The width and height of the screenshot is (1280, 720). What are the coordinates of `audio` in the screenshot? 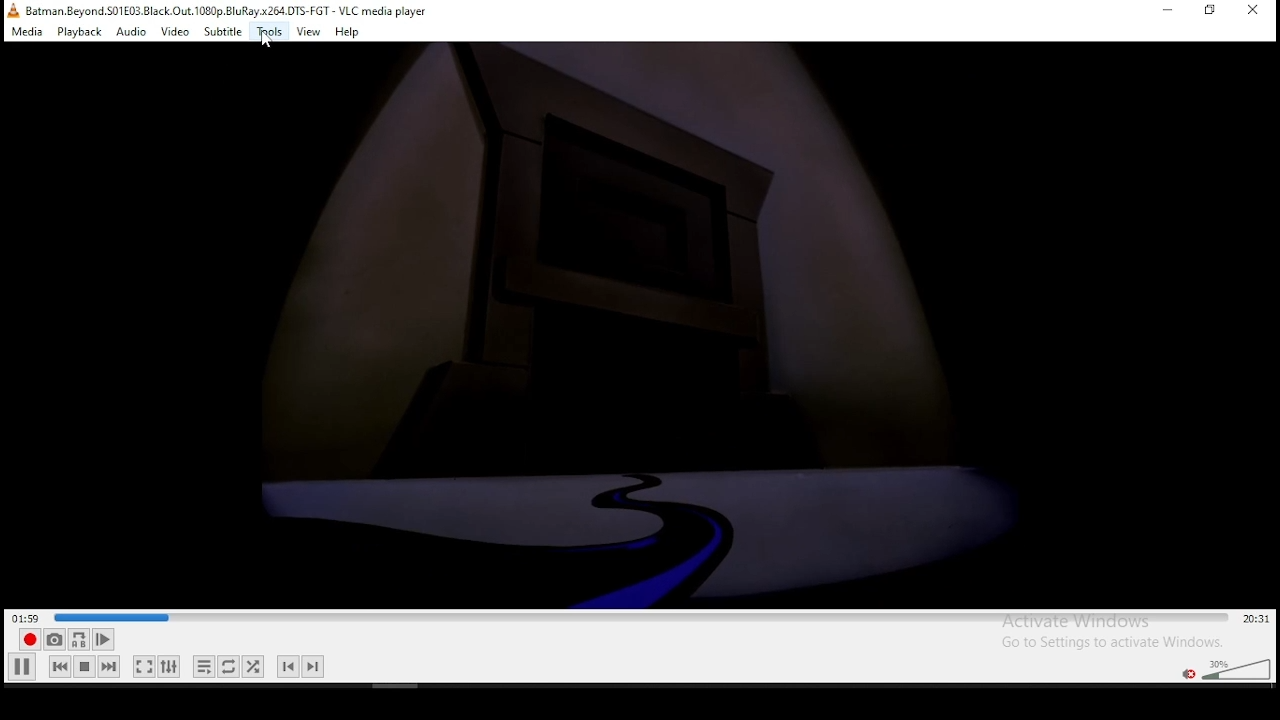 It's located at (131, 31).